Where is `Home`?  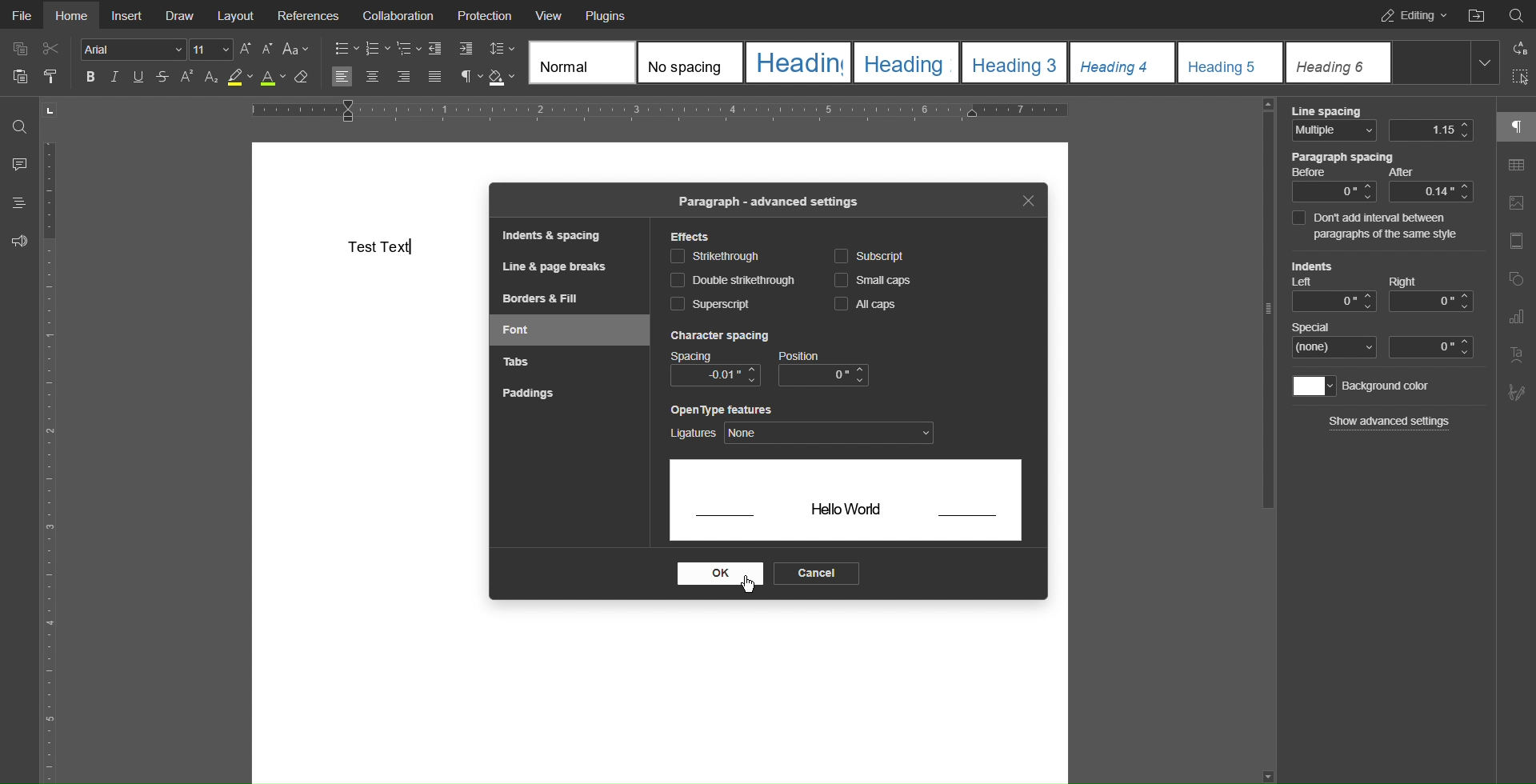 Home is located at coordinates (70, 15).